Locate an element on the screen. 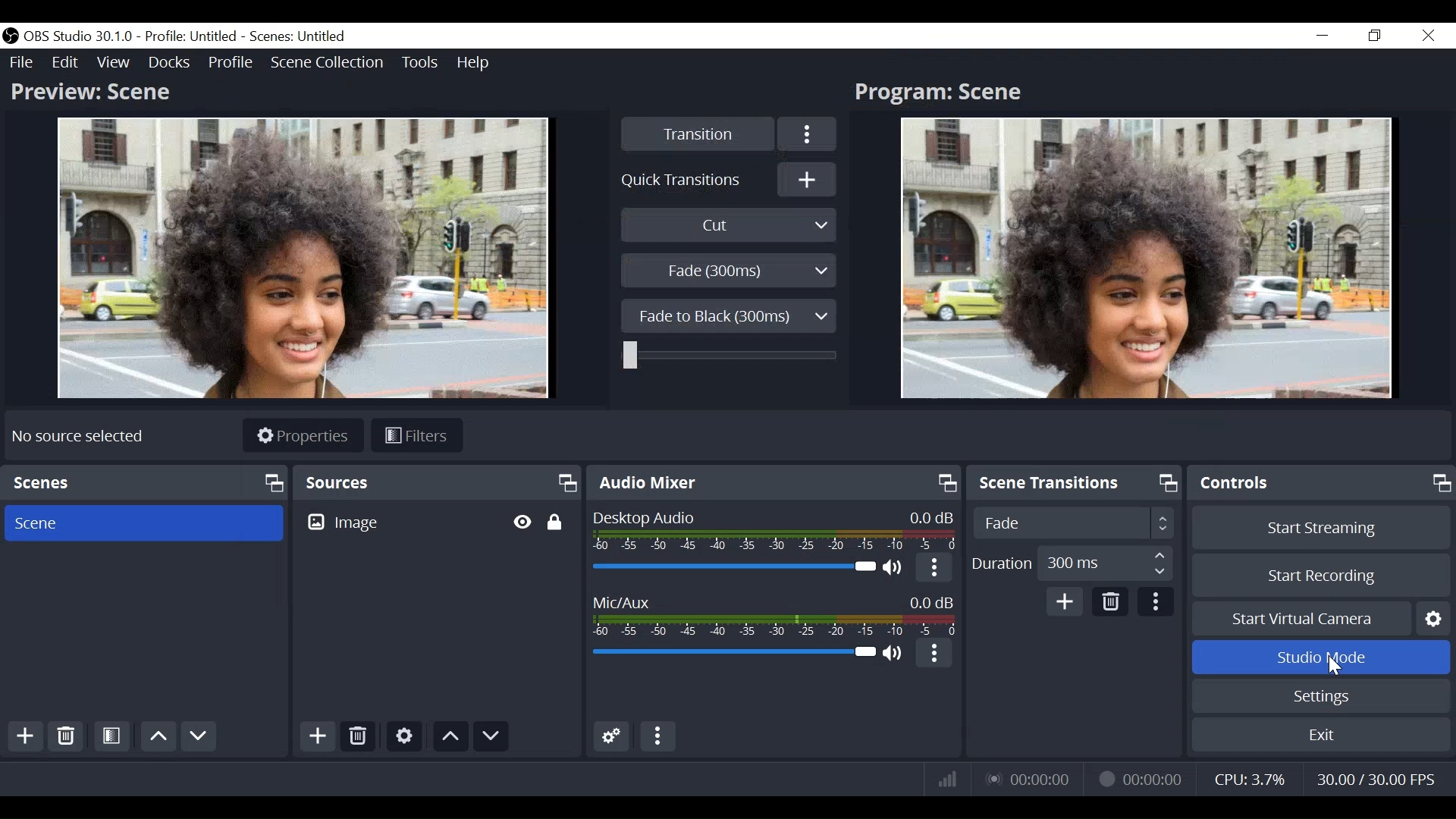 The height and width of the screenshot is (819, 1456). Desktop Audio is located at coordinates (731, 570).